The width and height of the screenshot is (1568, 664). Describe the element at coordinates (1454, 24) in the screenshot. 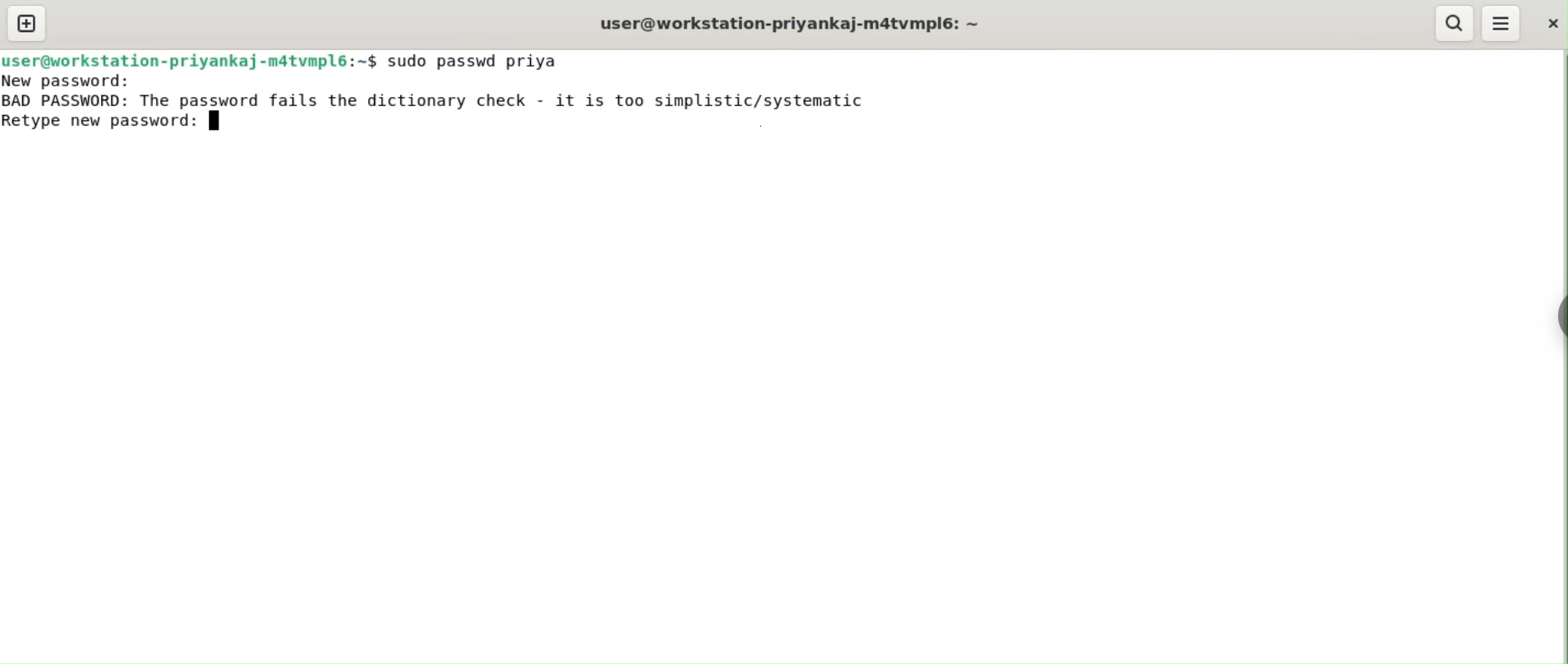

I see `search` at that location.